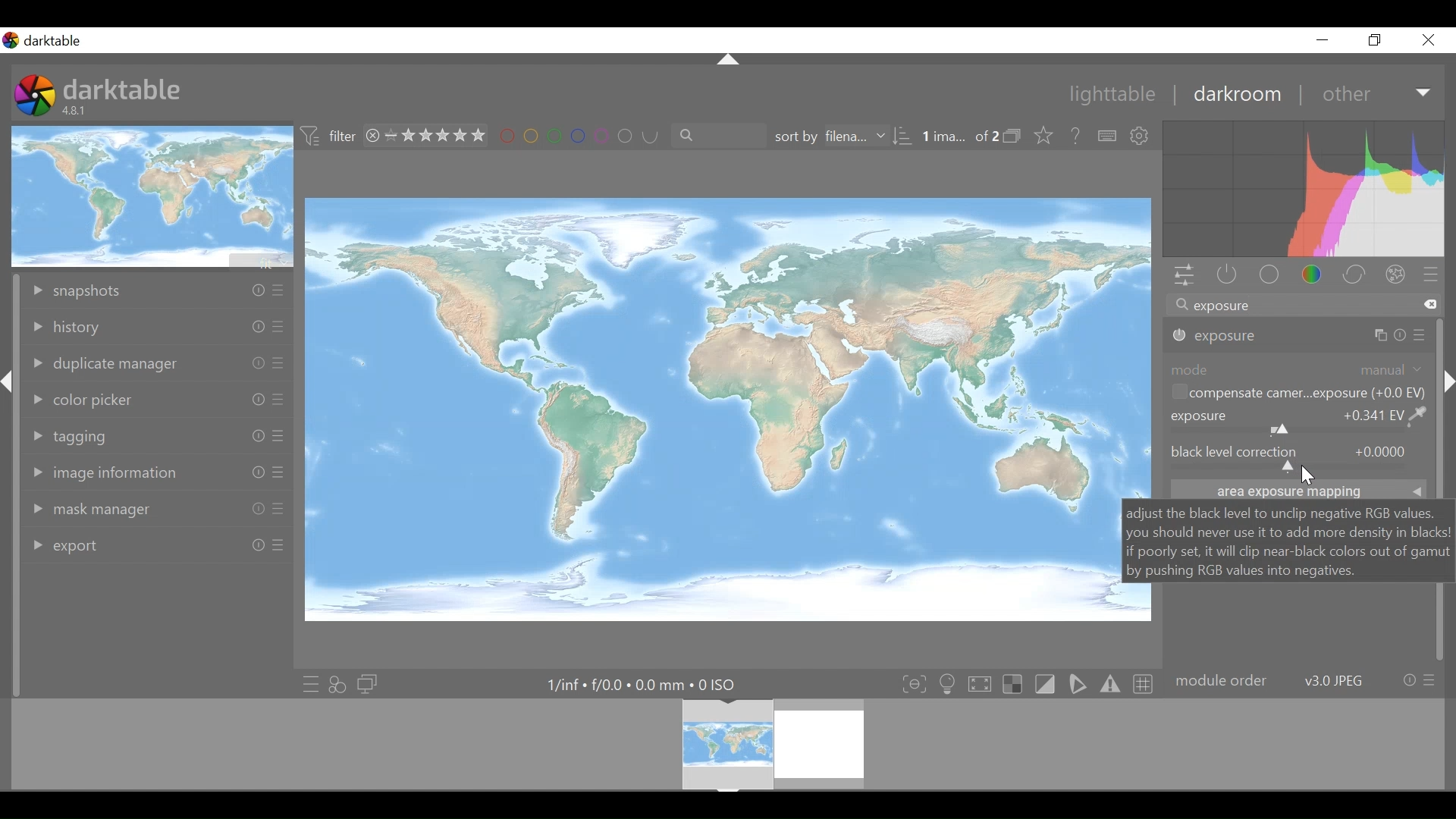  What do you see at coordinates (1354, 274) in the screenshot?
I see `correct` at bounding box center [1354, 274].